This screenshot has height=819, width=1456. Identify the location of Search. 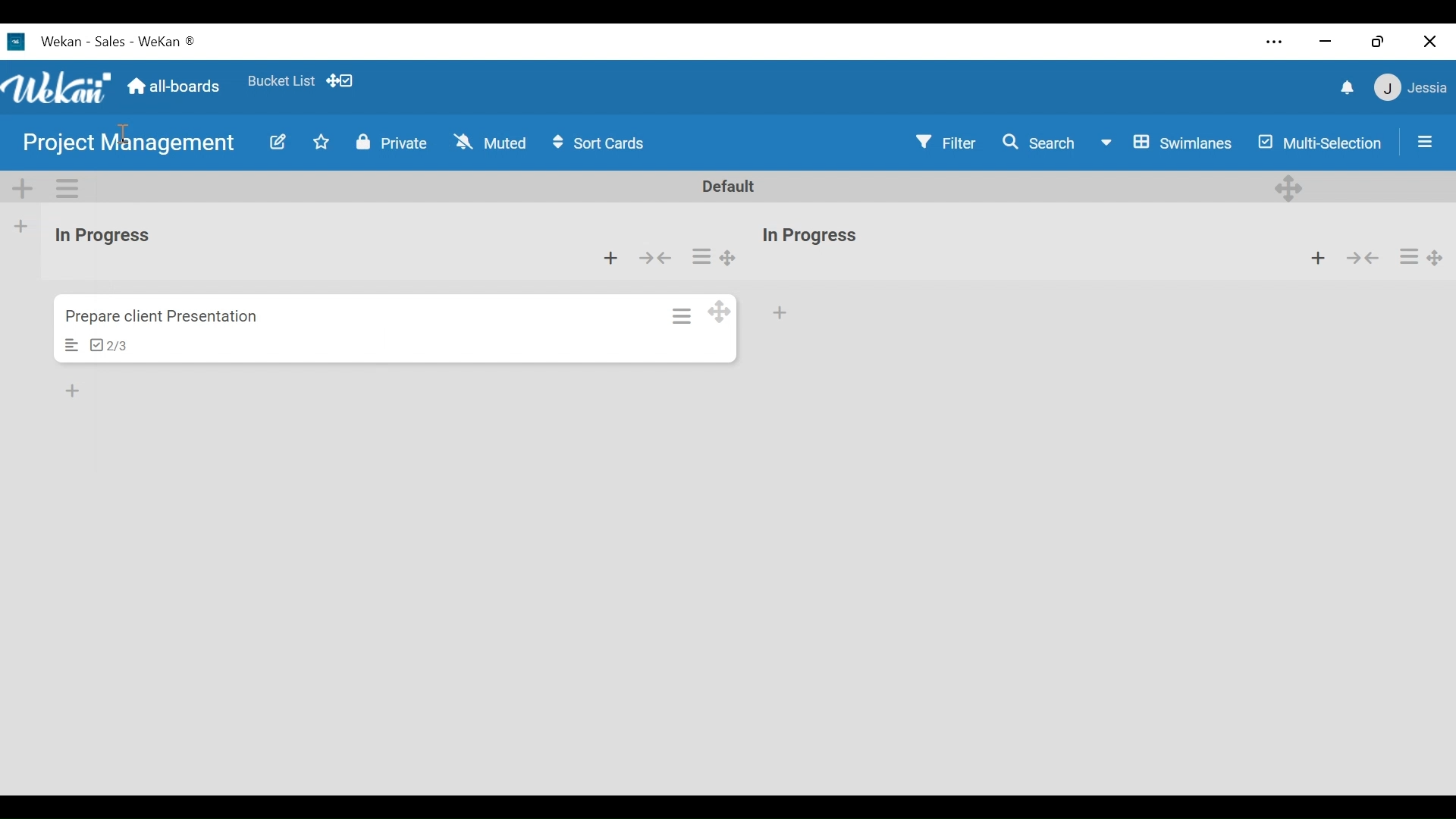
(1041, 143).